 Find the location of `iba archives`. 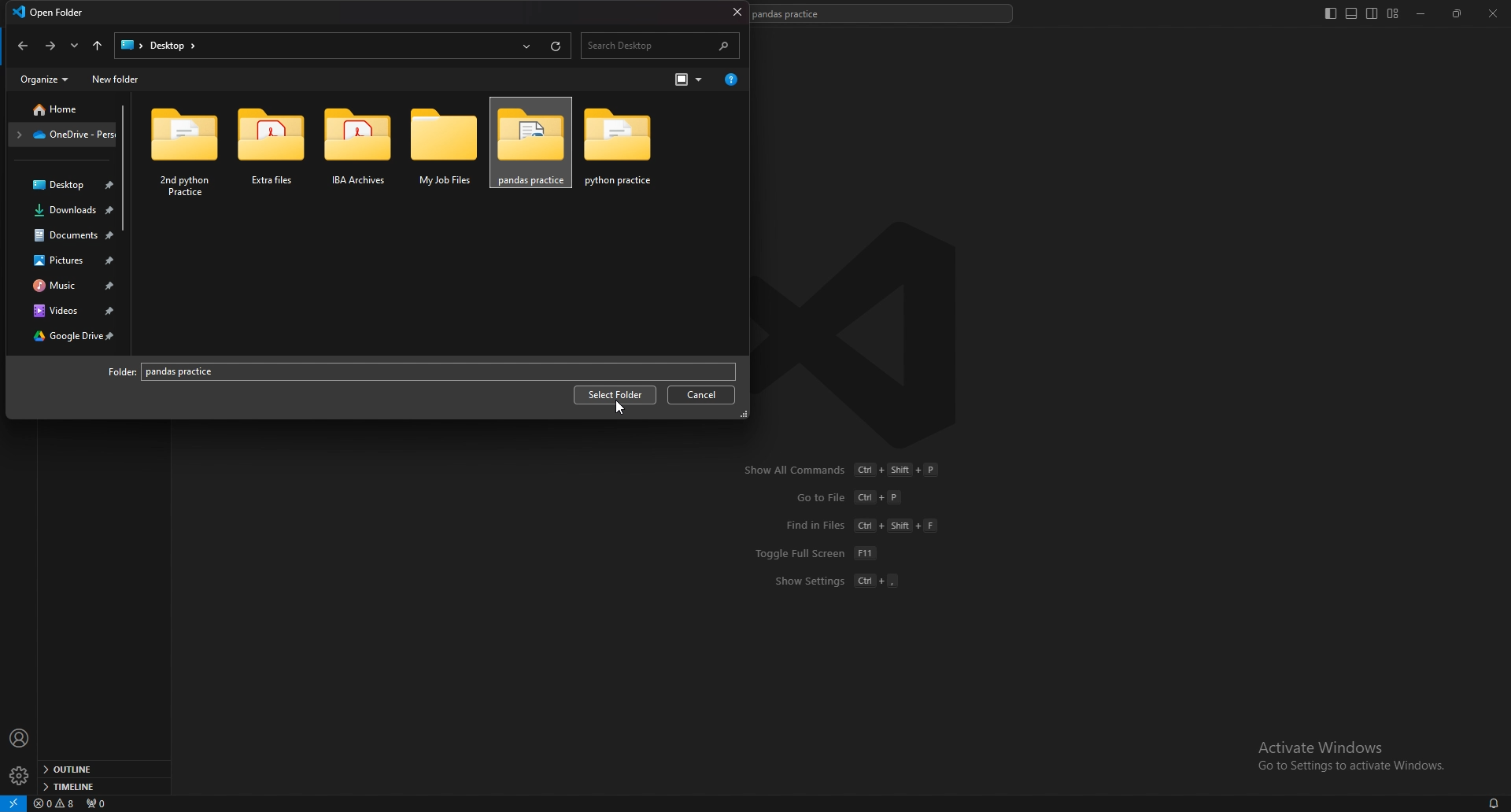

iba archives is located at coordinates (351, 154).